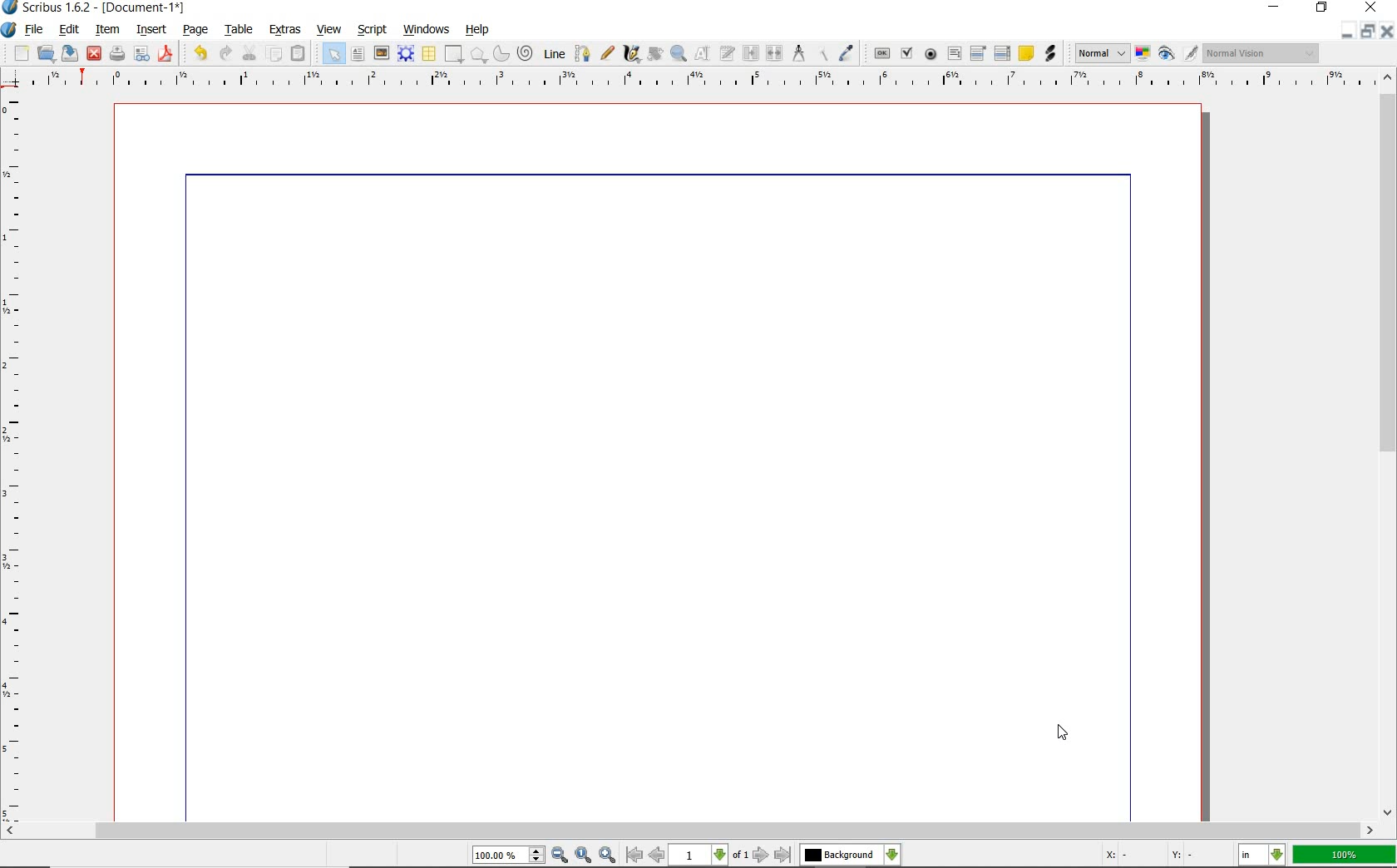 This screenshot has height=868, width=1397. I want to click on table, so click(428, 53).